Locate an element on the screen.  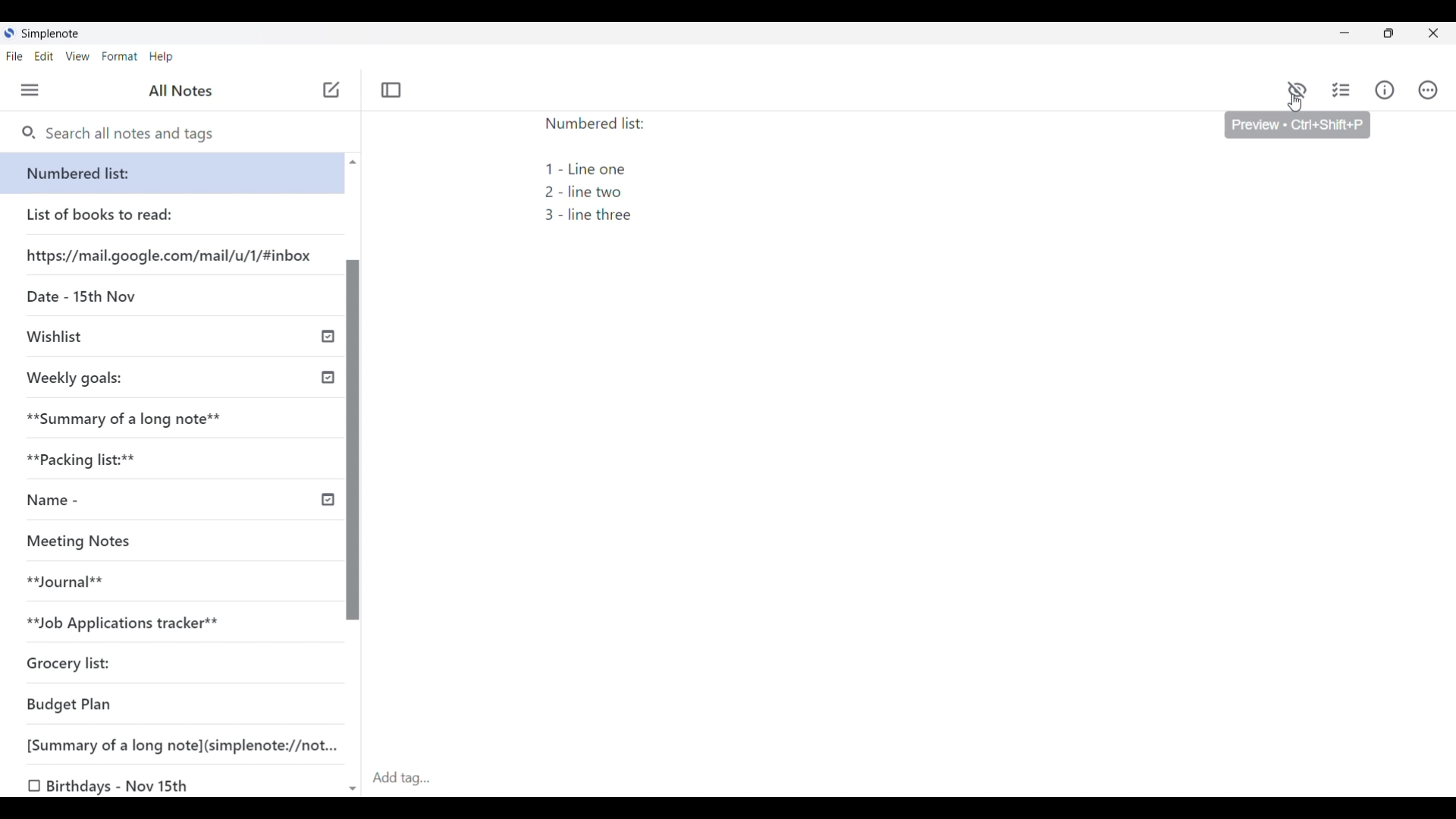
**Job Applications tracker** is located at coordinates (131, 626).